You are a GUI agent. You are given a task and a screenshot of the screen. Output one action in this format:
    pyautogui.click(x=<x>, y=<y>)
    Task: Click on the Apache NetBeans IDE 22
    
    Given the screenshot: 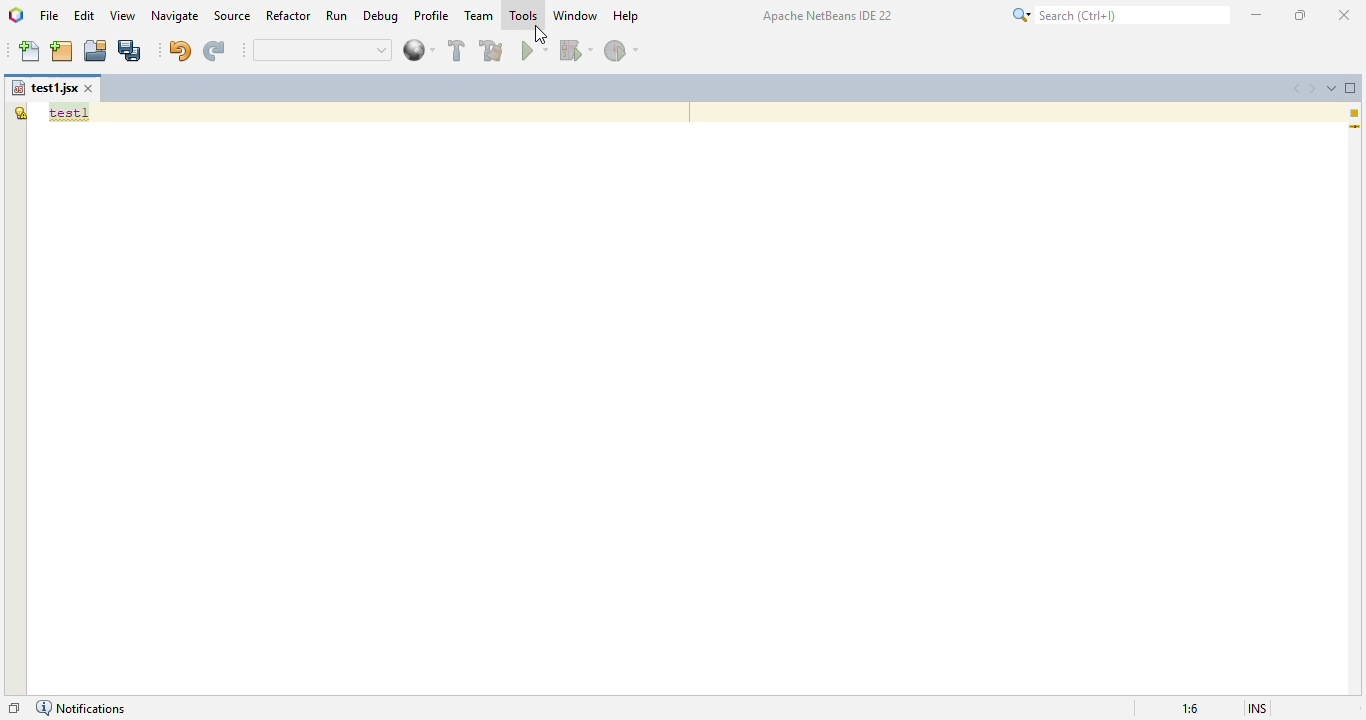 What is the action you would take?
    pyautogui.click(x=828, y=15)
    